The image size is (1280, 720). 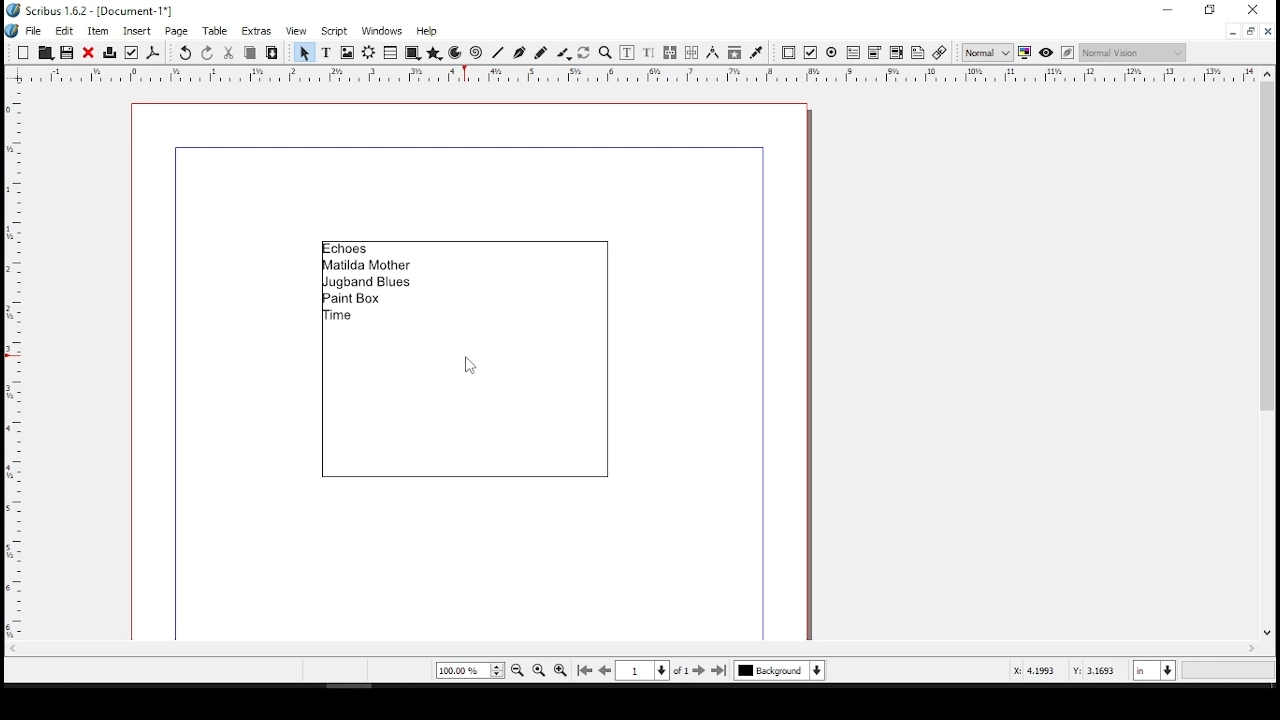 What do you see at coordinates (475, 54) in the screenshot?
I see `spiral` at bounding box center [475, 54].